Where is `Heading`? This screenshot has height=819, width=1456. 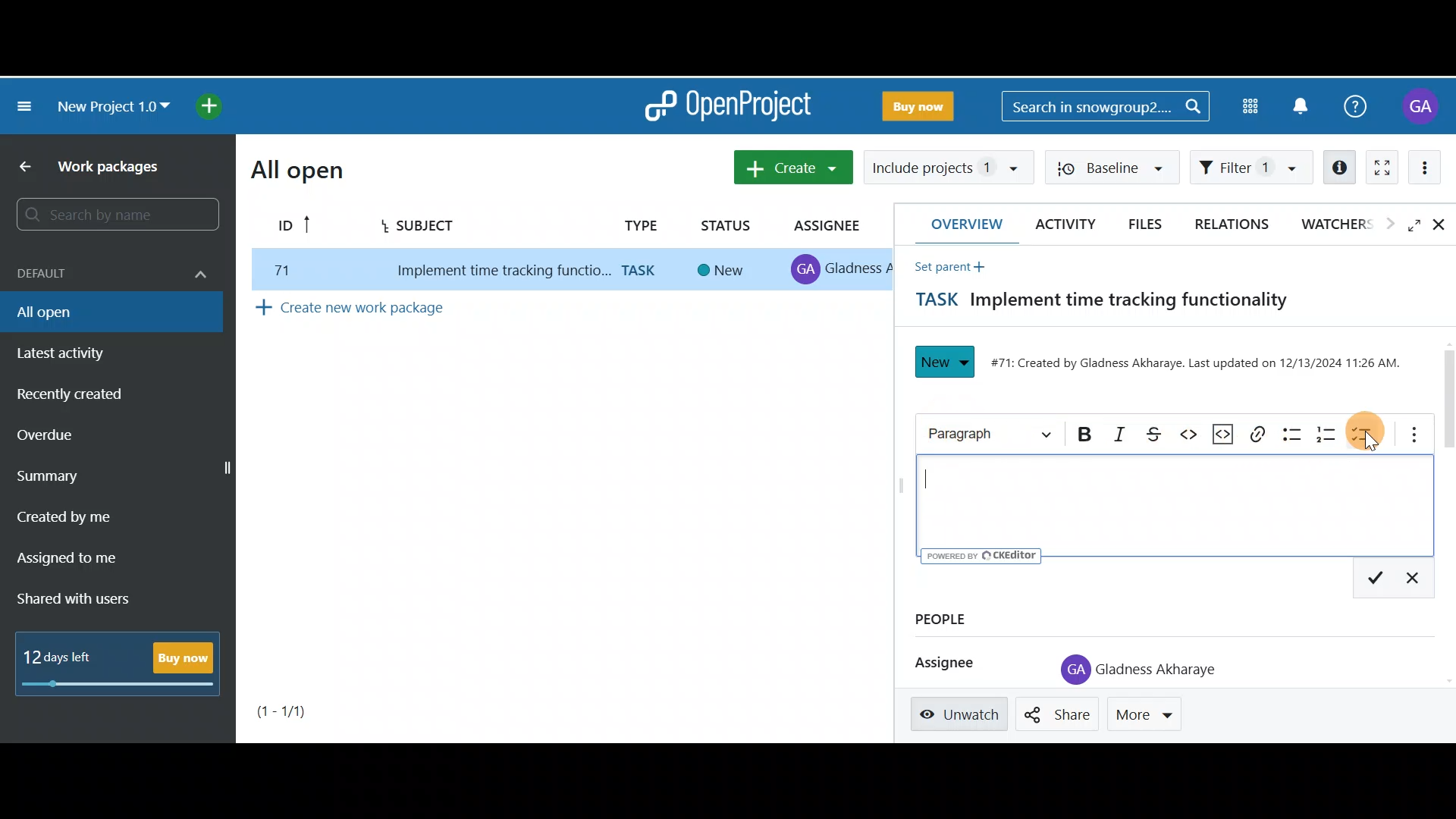 Heading is located at coordinates (988, 430).